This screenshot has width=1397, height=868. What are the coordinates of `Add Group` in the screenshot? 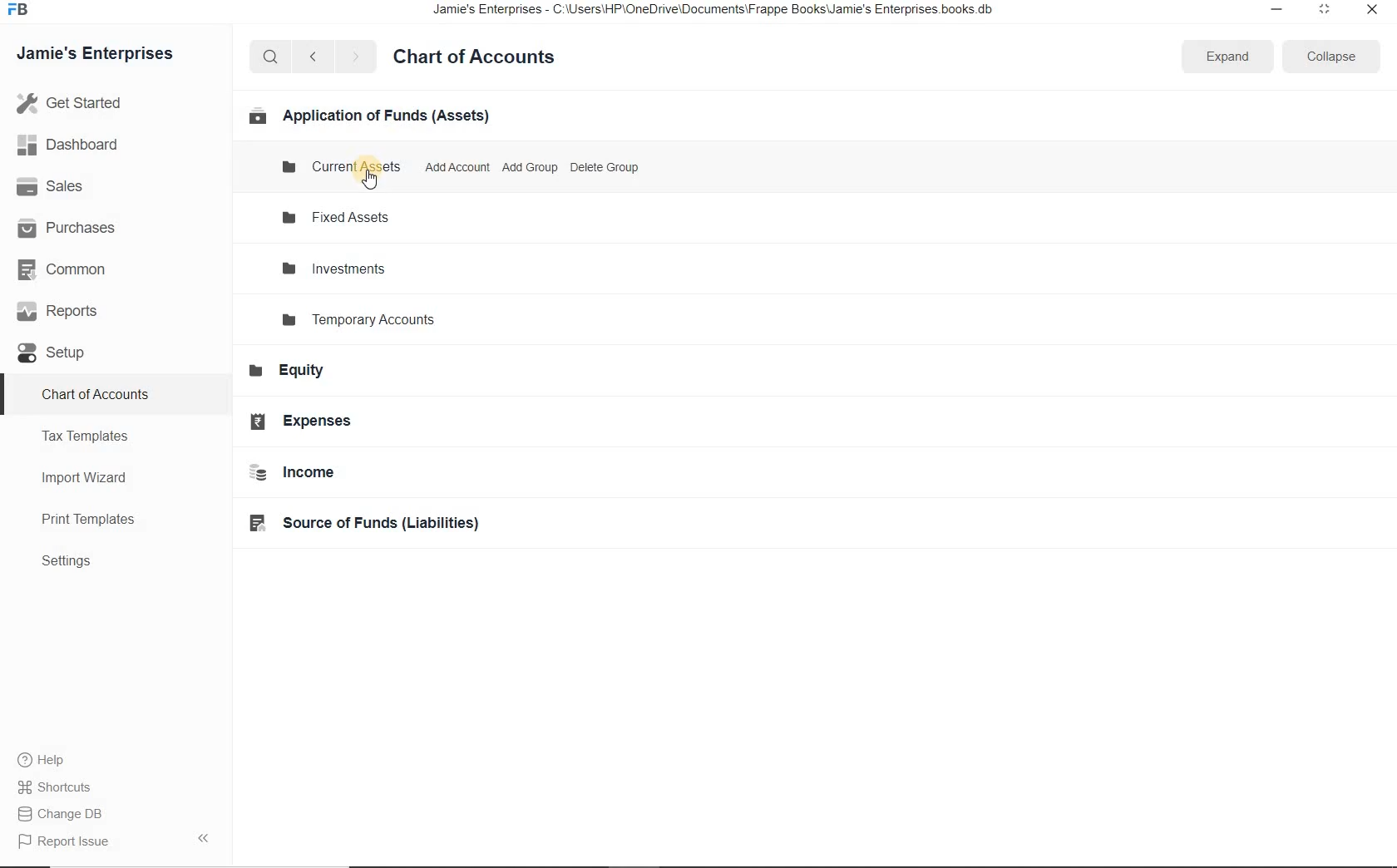 It's located at (457, 168).